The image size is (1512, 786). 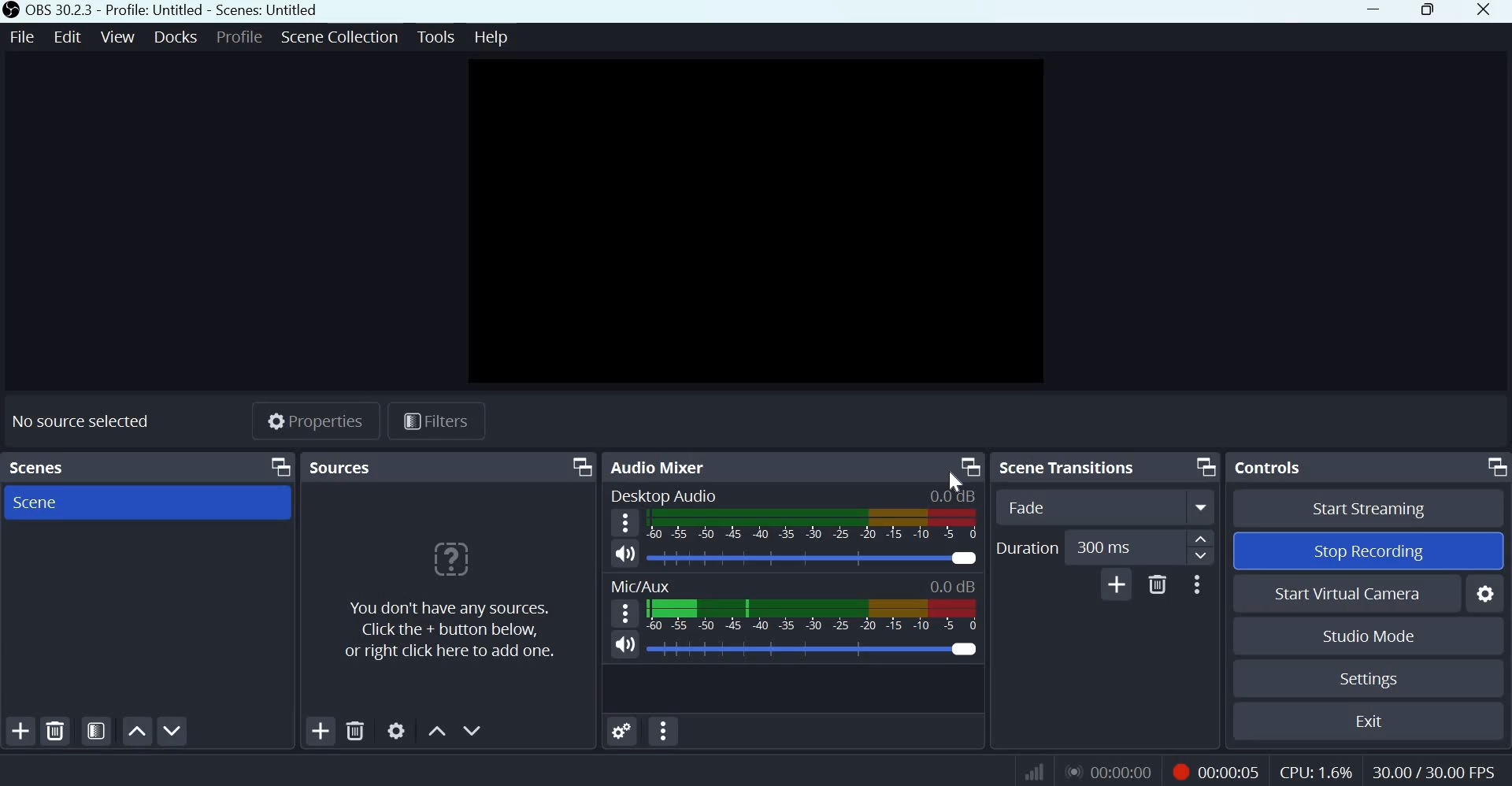 I want to click on Dock Options icon, so click(x=1206, y=468).